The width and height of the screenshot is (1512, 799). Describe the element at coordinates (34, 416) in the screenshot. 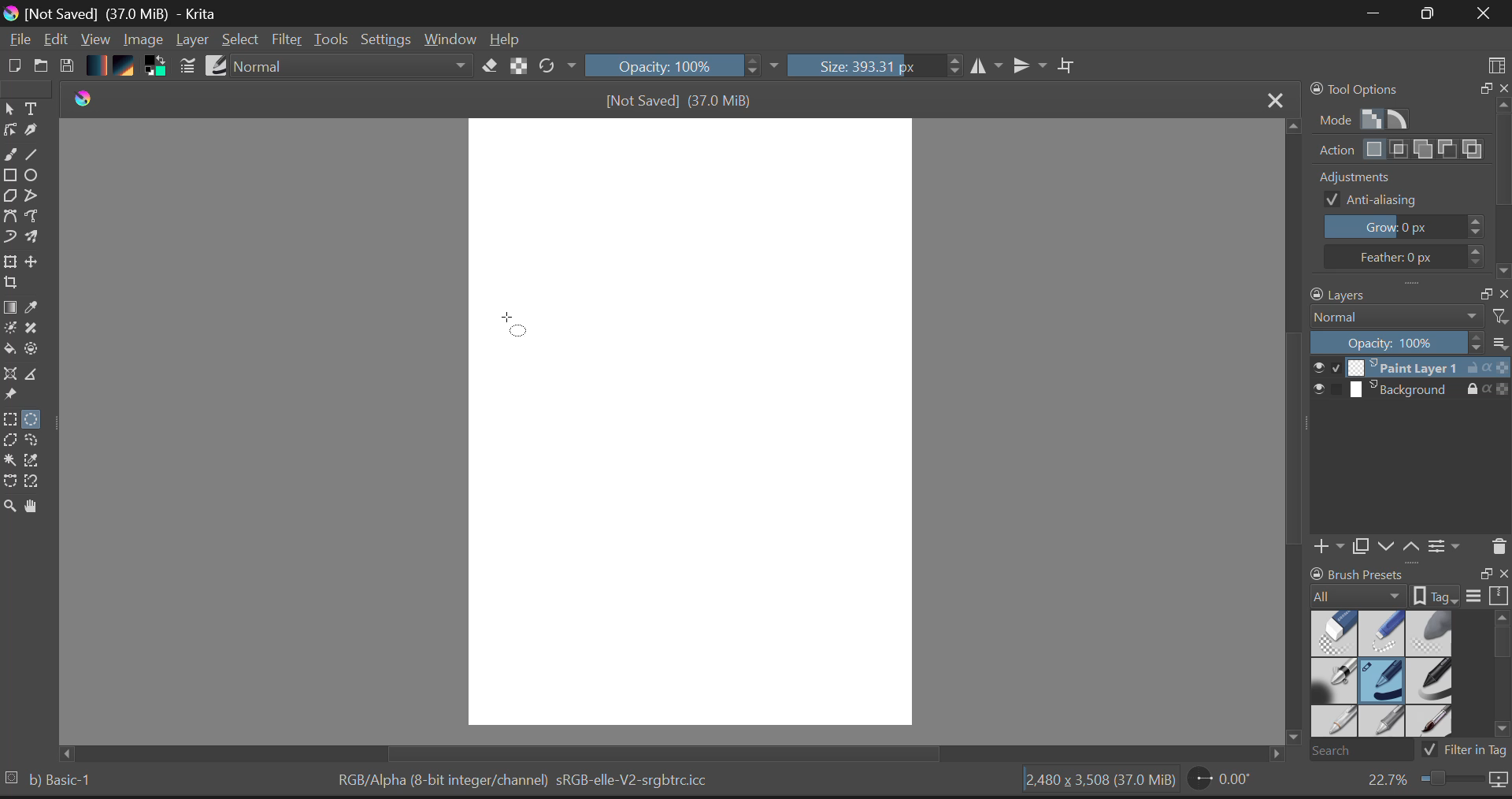

I see `Circular Selection Selected` at that location.